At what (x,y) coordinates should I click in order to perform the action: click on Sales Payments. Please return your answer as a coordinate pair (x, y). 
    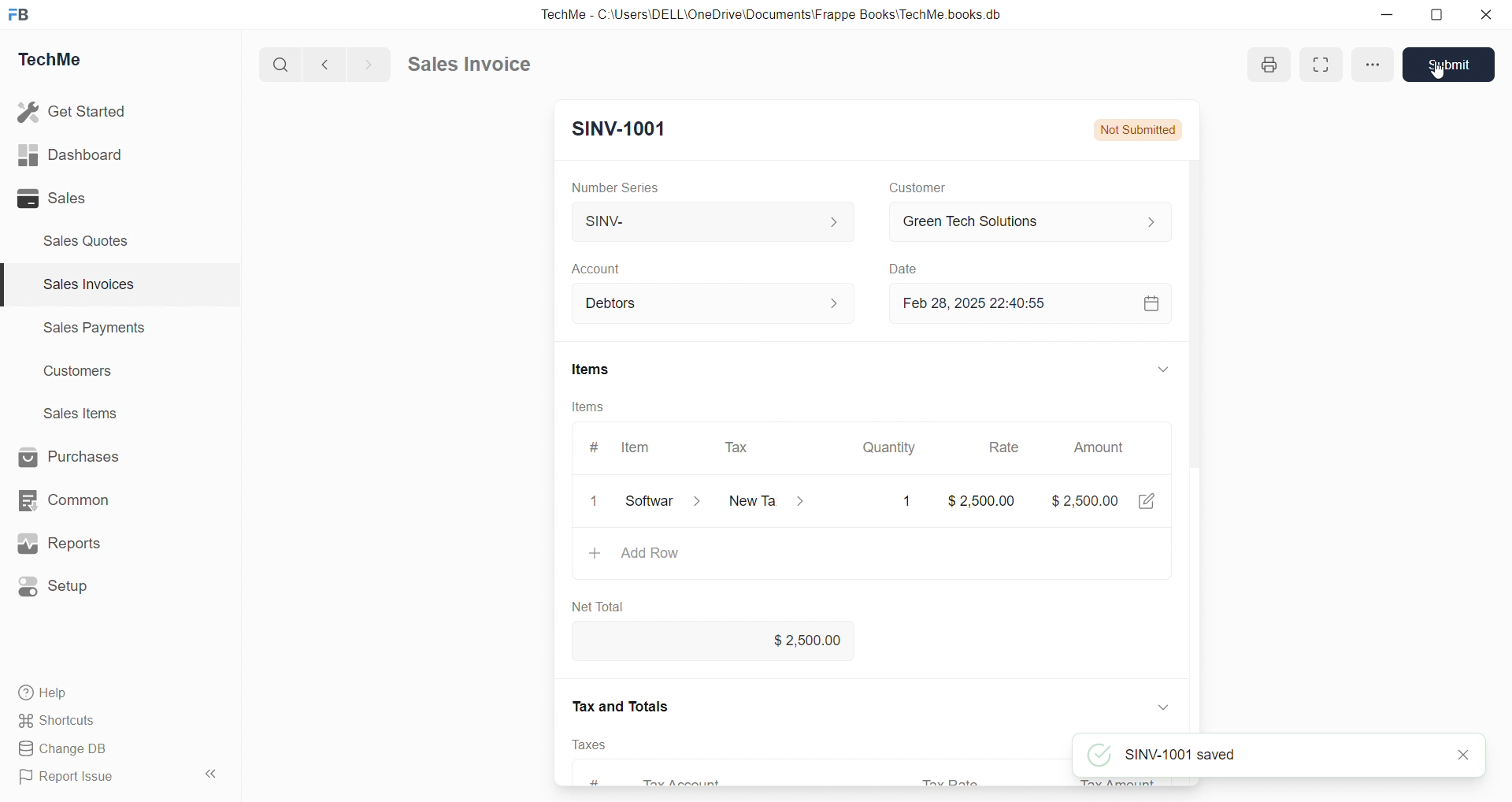
    Looking at the image, I should click on (96, 326).